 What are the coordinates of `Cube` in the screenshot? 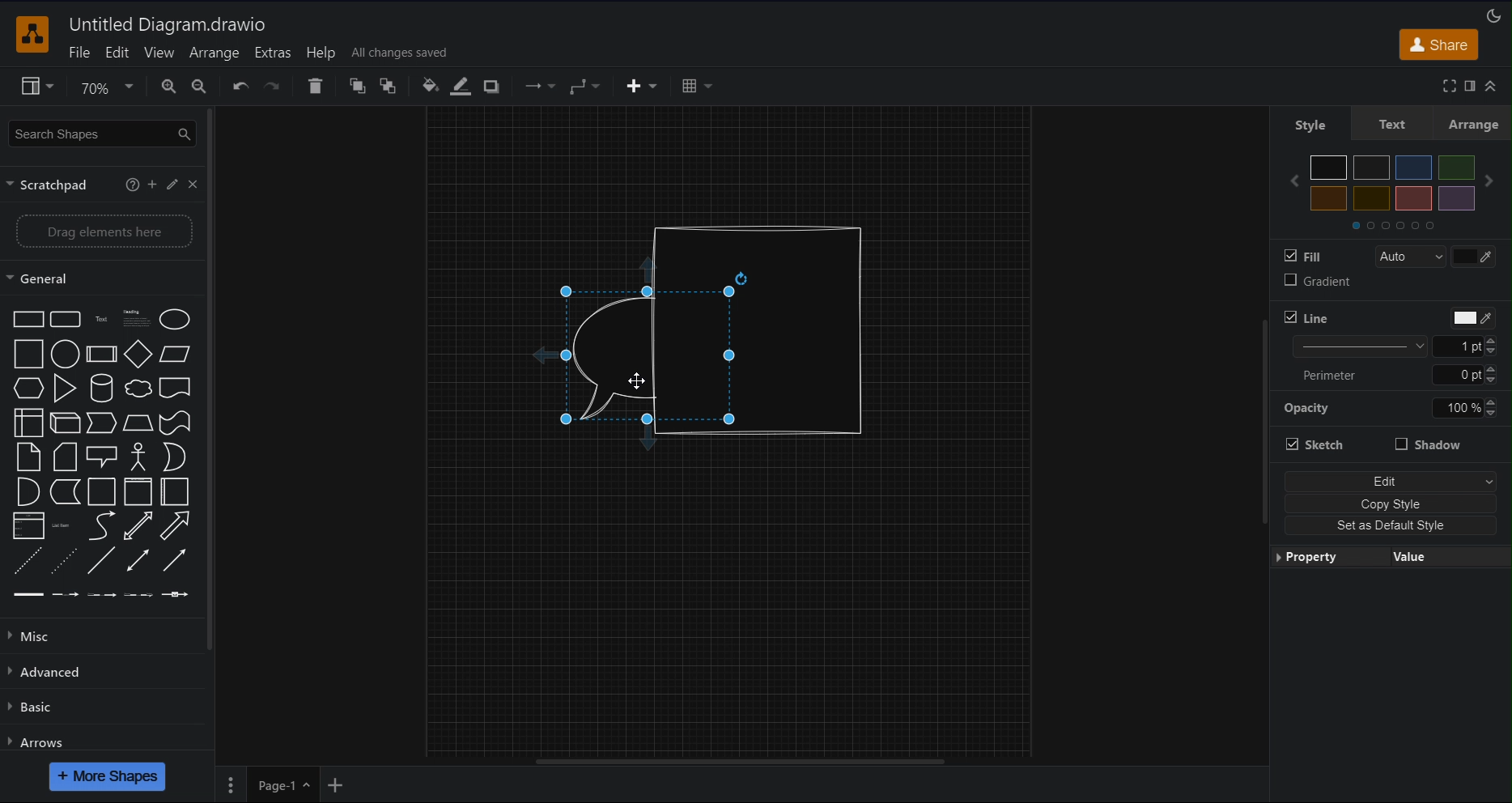 It's located at (64, 423).